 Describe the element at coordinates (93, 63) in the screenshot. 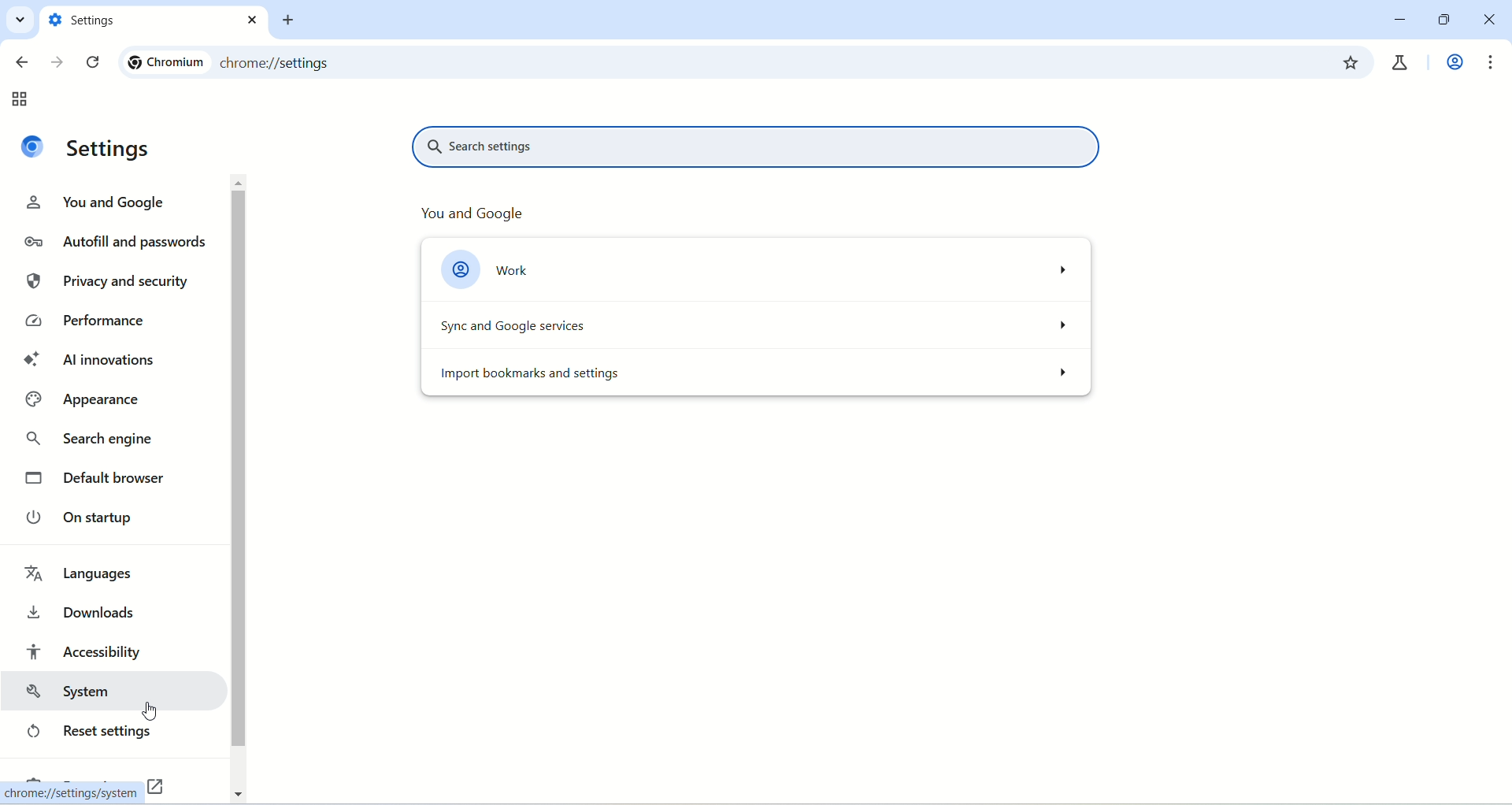

I see `reload` at that location.